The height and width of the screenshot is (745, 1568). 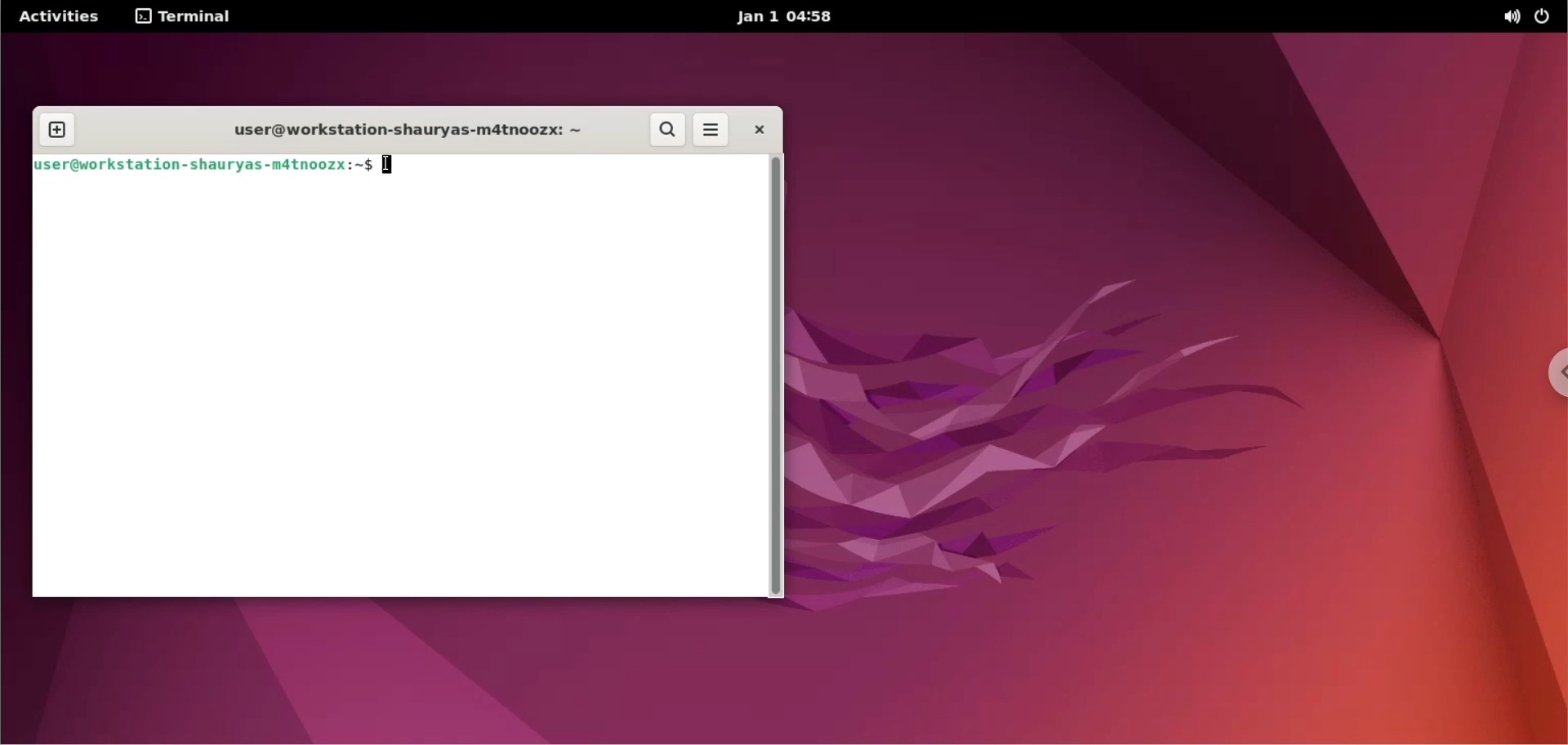 I want to click on terminal, so click(x=185, y=17).